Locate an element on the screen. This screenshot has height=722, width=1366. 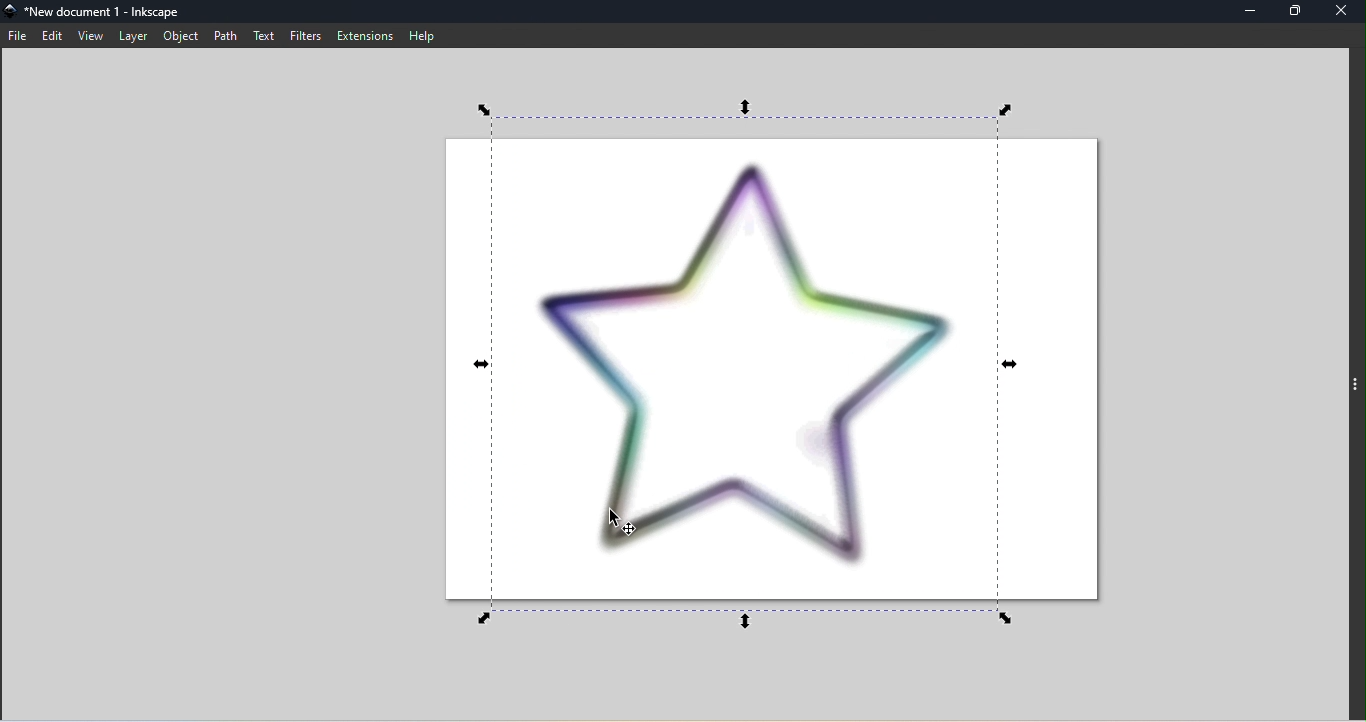
File name is located at coordinates (96, 12).